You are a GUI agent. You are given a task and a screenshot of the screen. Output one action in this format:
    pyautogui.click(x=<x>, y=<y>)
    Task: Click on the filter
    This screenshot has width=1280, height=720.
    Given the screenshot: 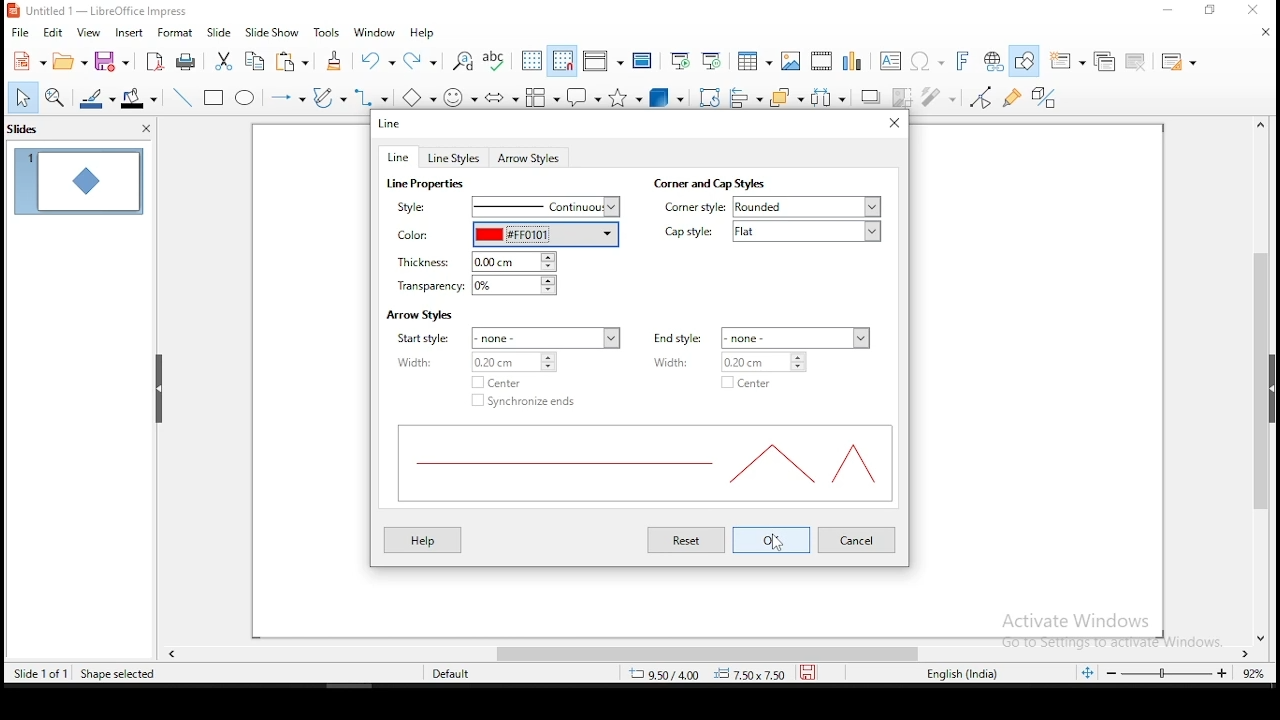 What is the action you would take?
    pyautogui.click(x=941, y=98)
    